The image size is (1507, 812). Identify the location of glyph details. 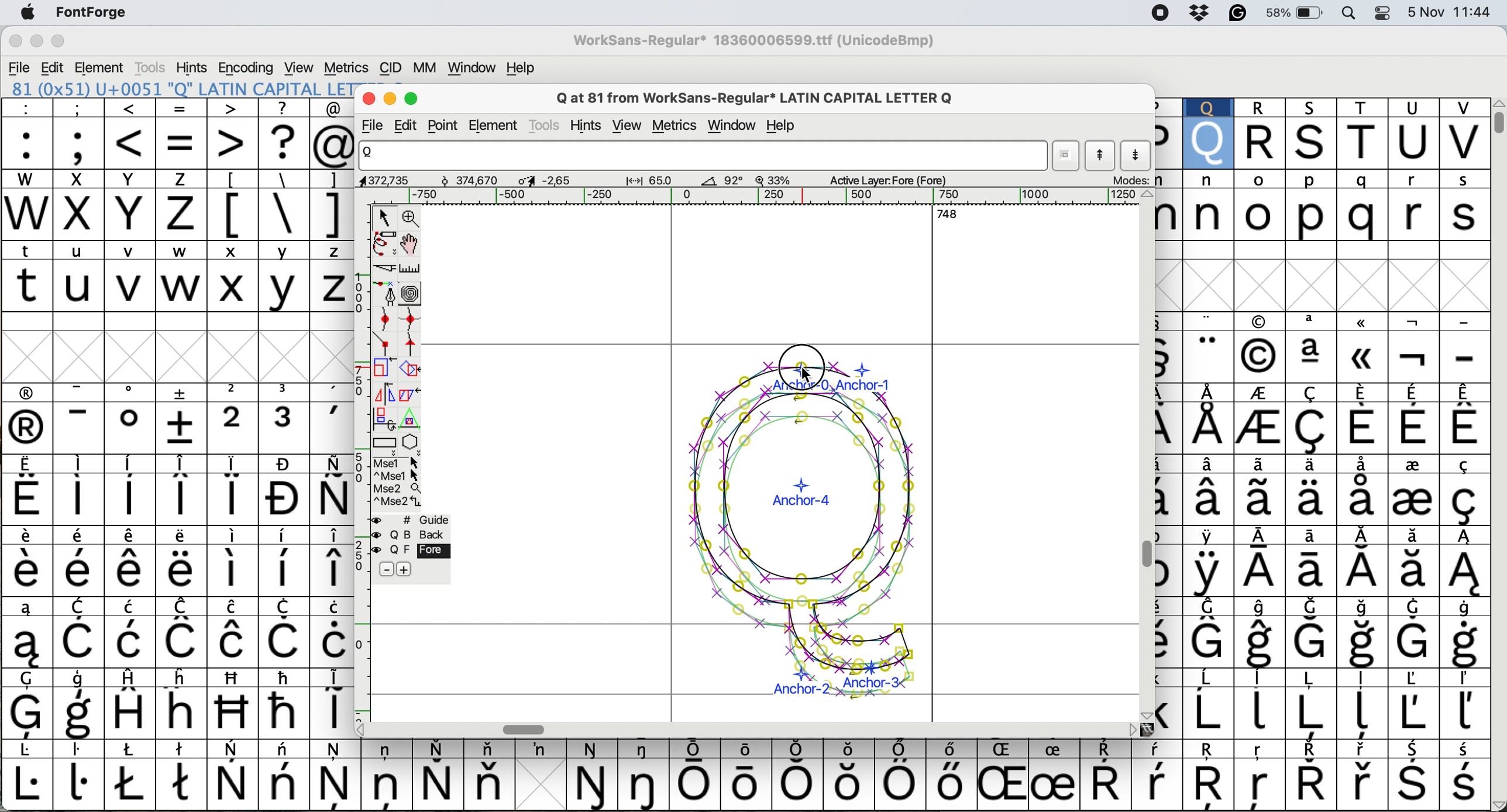
(669, 182).